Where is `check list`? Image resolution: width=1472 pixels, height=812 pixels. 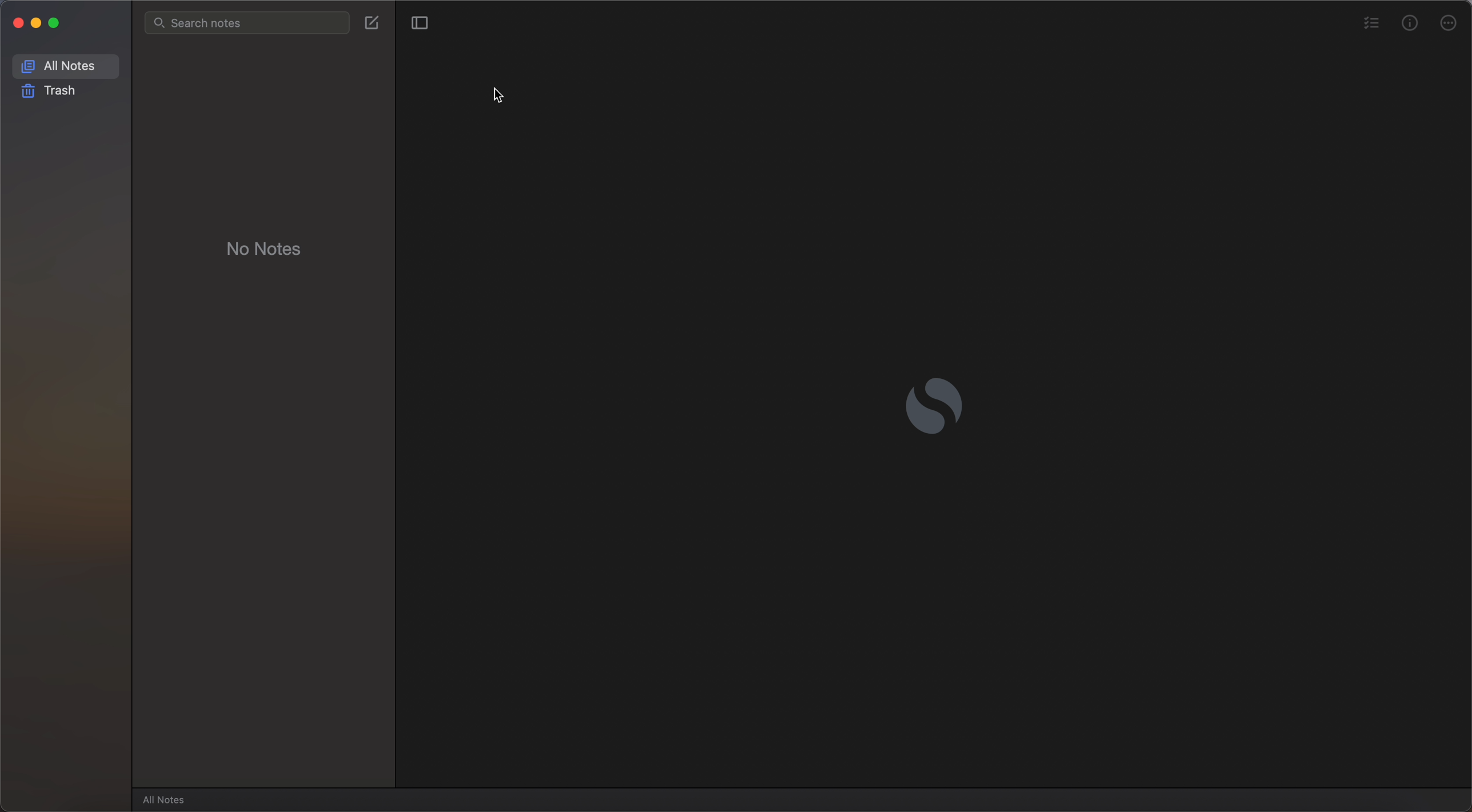 check list is located at coordinates (1370, 24).